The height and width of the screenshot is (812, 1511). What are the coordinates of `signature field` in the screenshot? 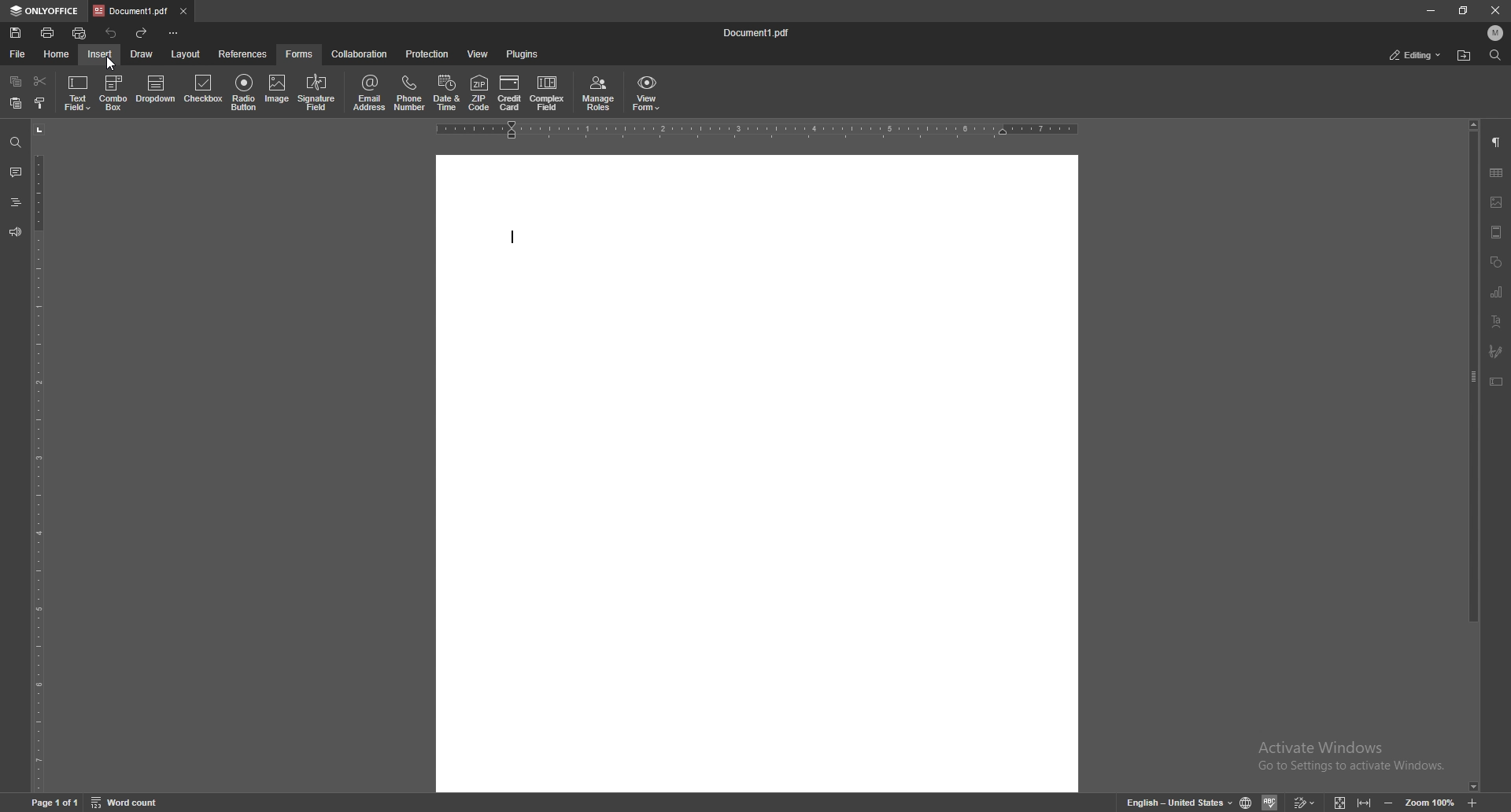 It's located at (1496, 352).